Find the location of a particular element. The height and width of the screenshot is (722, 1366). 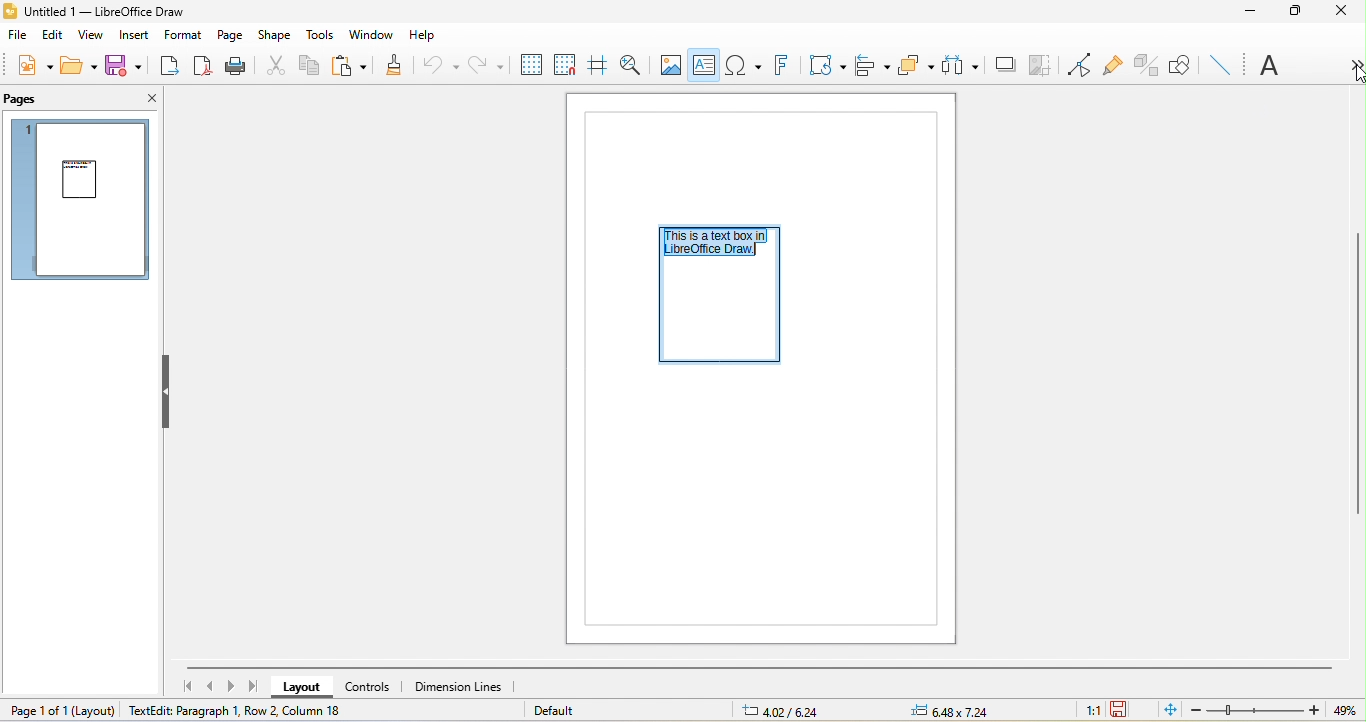

maximize is located at coordinates (1298, 12).